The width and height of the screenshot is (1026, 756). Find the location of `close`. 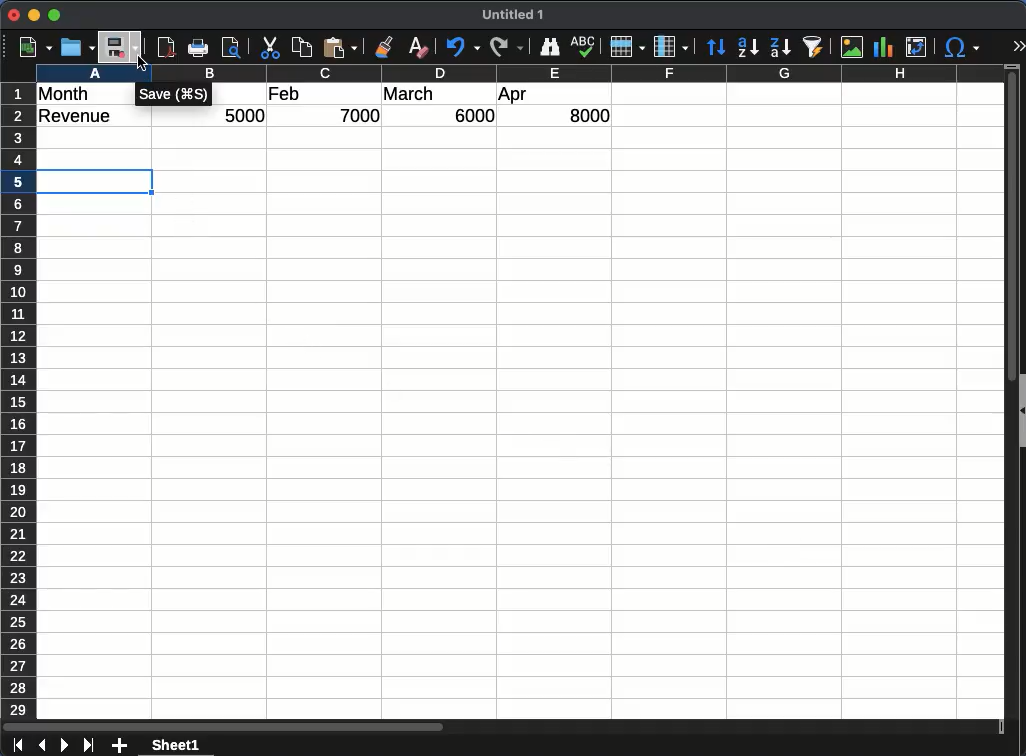

close is located at coordinates (15, 15).